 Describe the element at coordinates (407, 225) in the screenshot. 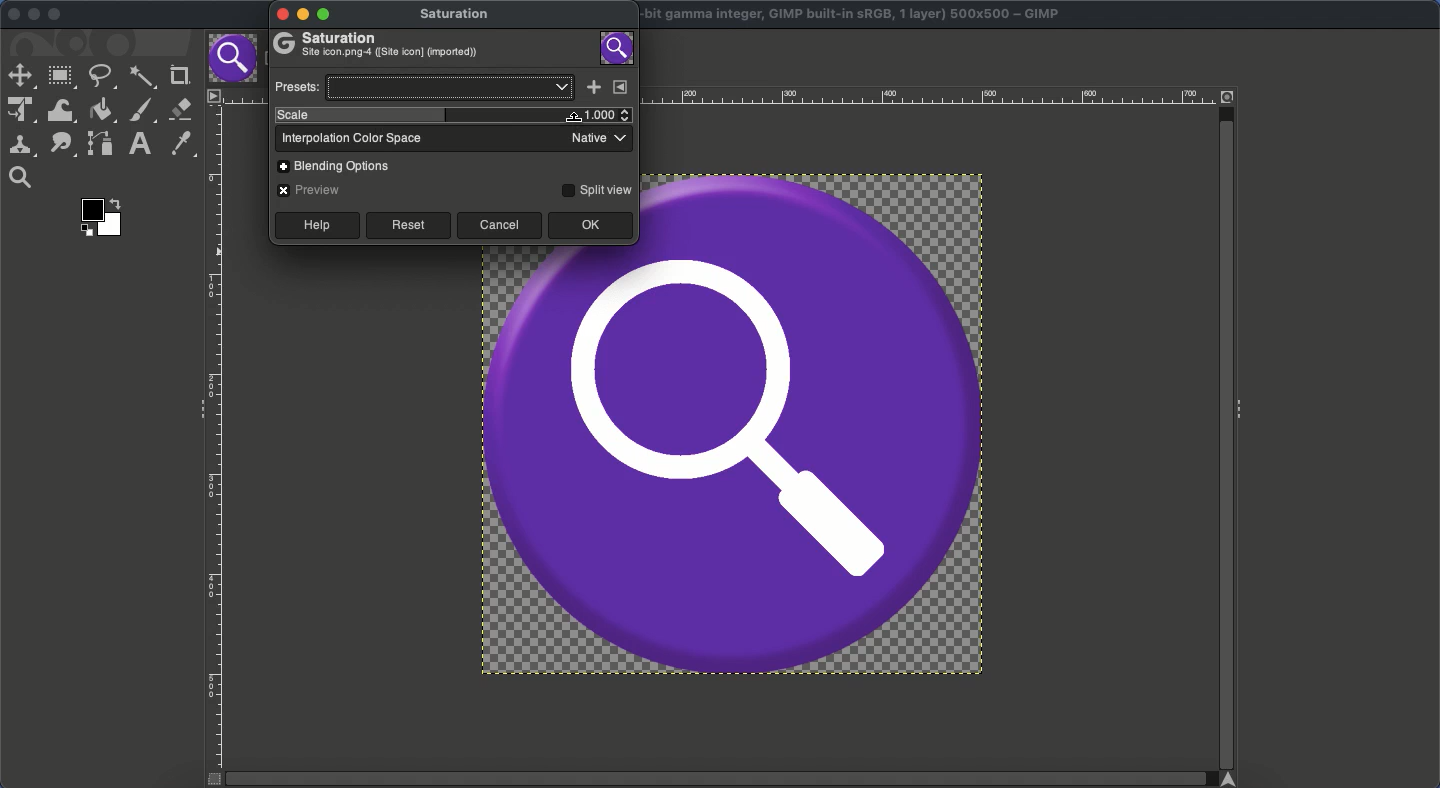

I see `Reset` at that location.